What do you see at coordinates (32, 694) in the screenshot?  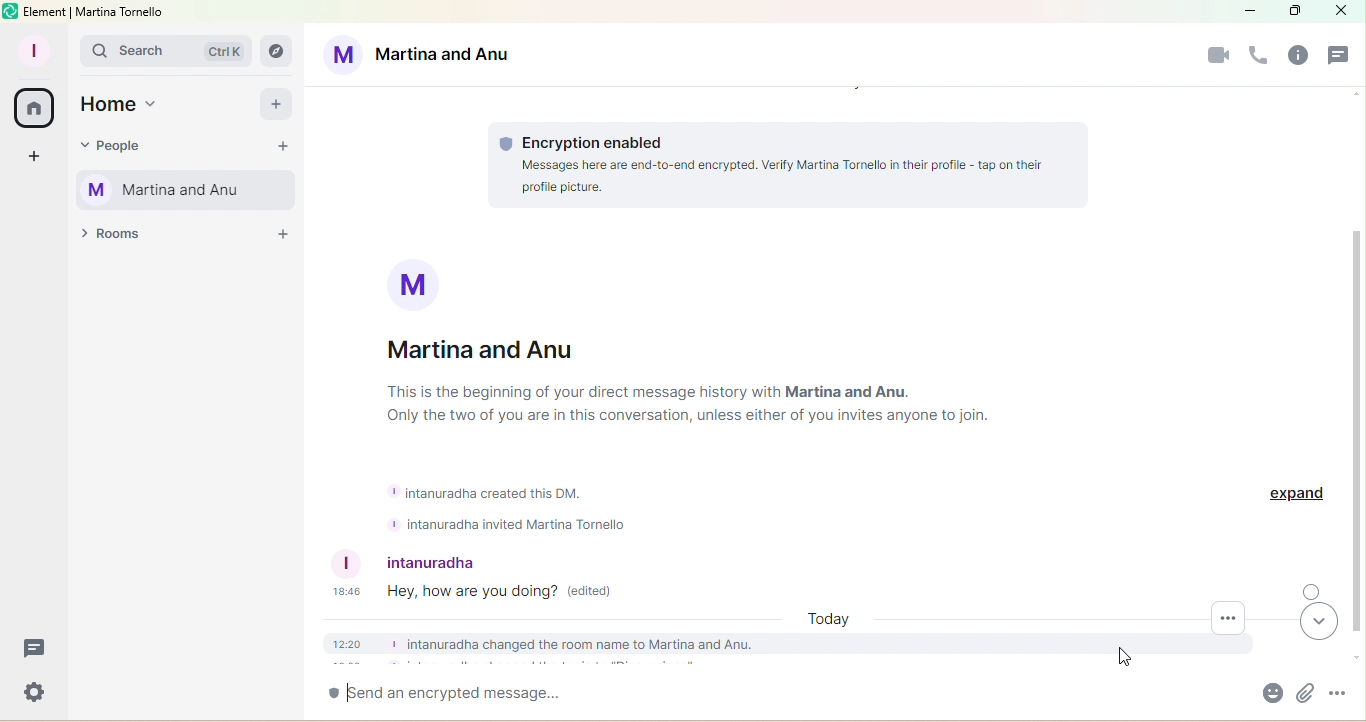 I see `Settings` at bounding box center [32, 694].